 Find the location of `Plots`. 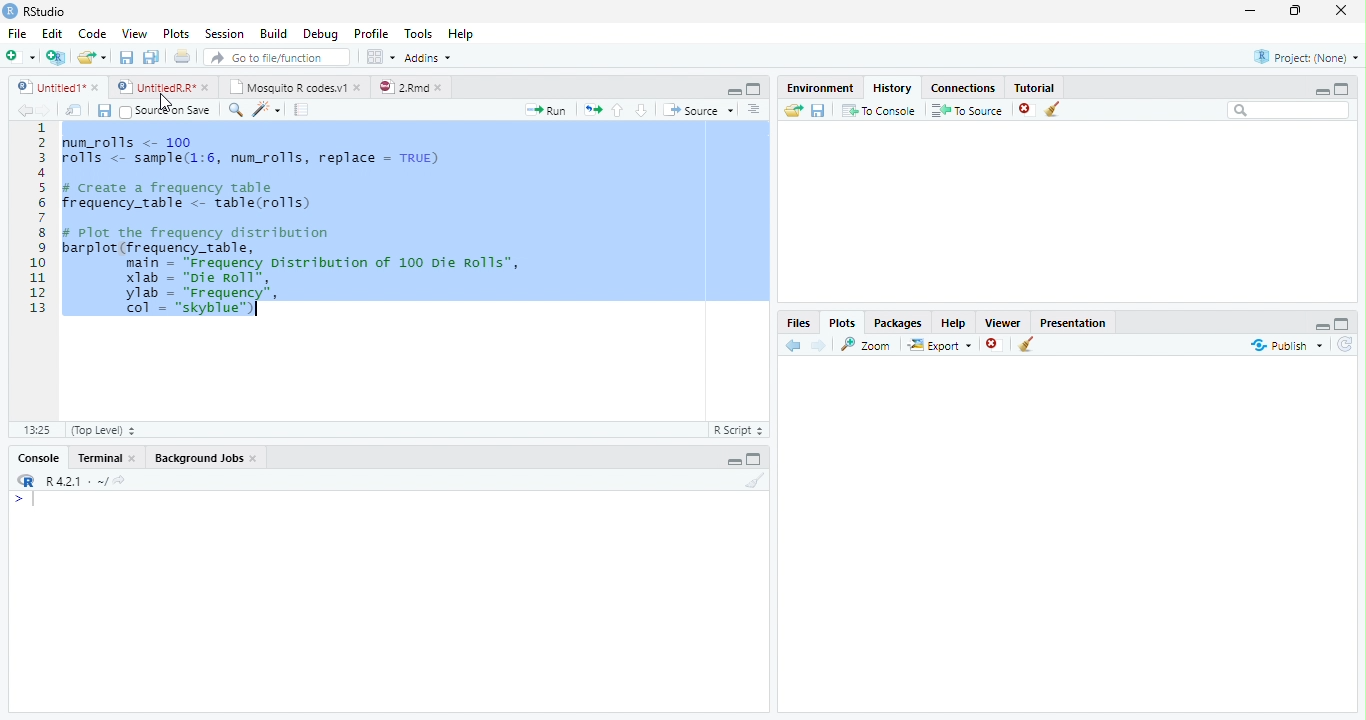

Plots is located at coordinates (177, 32).